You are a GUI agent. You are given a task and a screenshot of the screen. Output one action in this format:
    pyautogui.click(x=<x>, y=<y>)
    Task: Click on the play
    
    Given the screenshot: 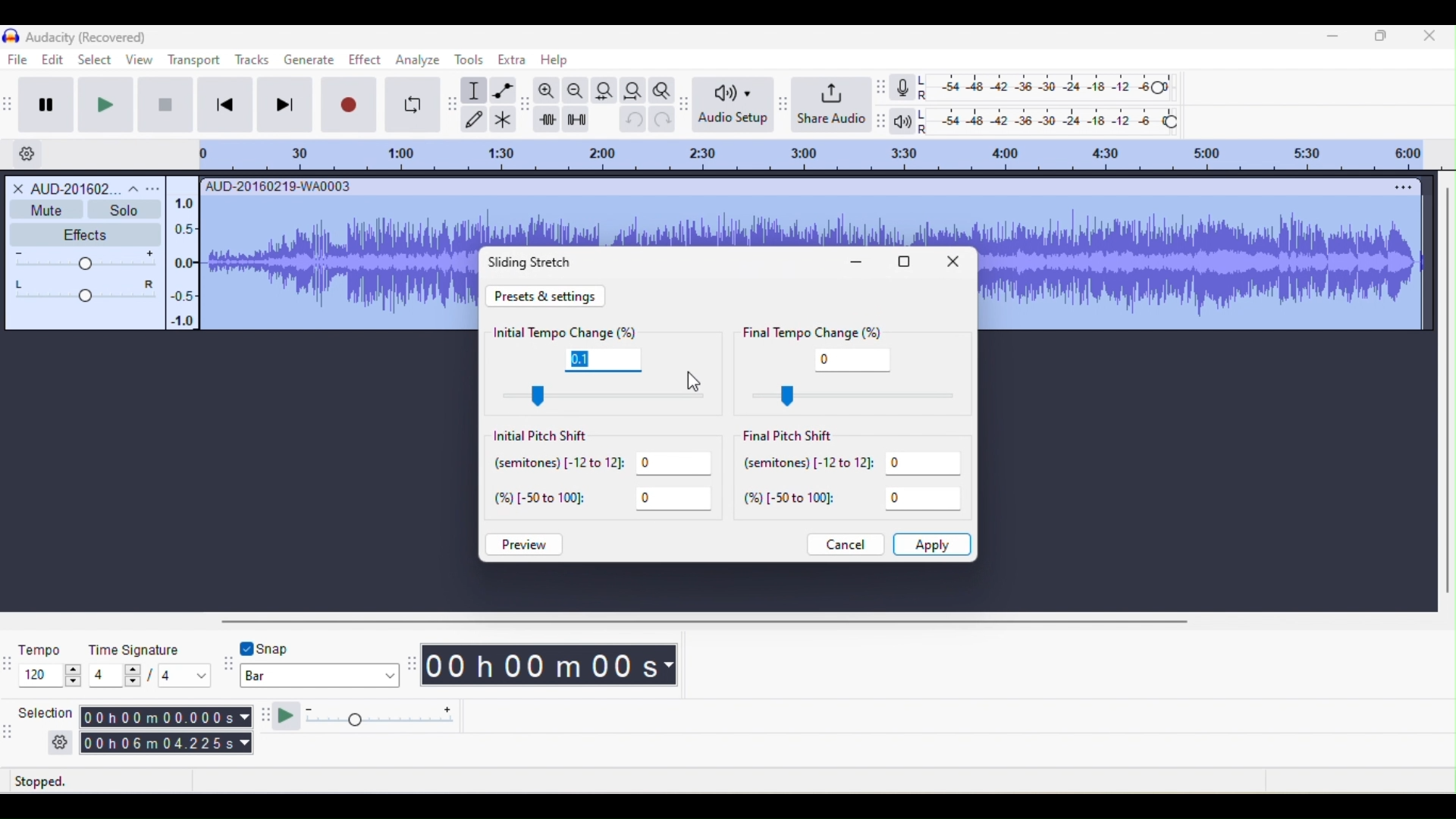 What is the action you would take?
    pyautogui.click(x=112, y=105)
    